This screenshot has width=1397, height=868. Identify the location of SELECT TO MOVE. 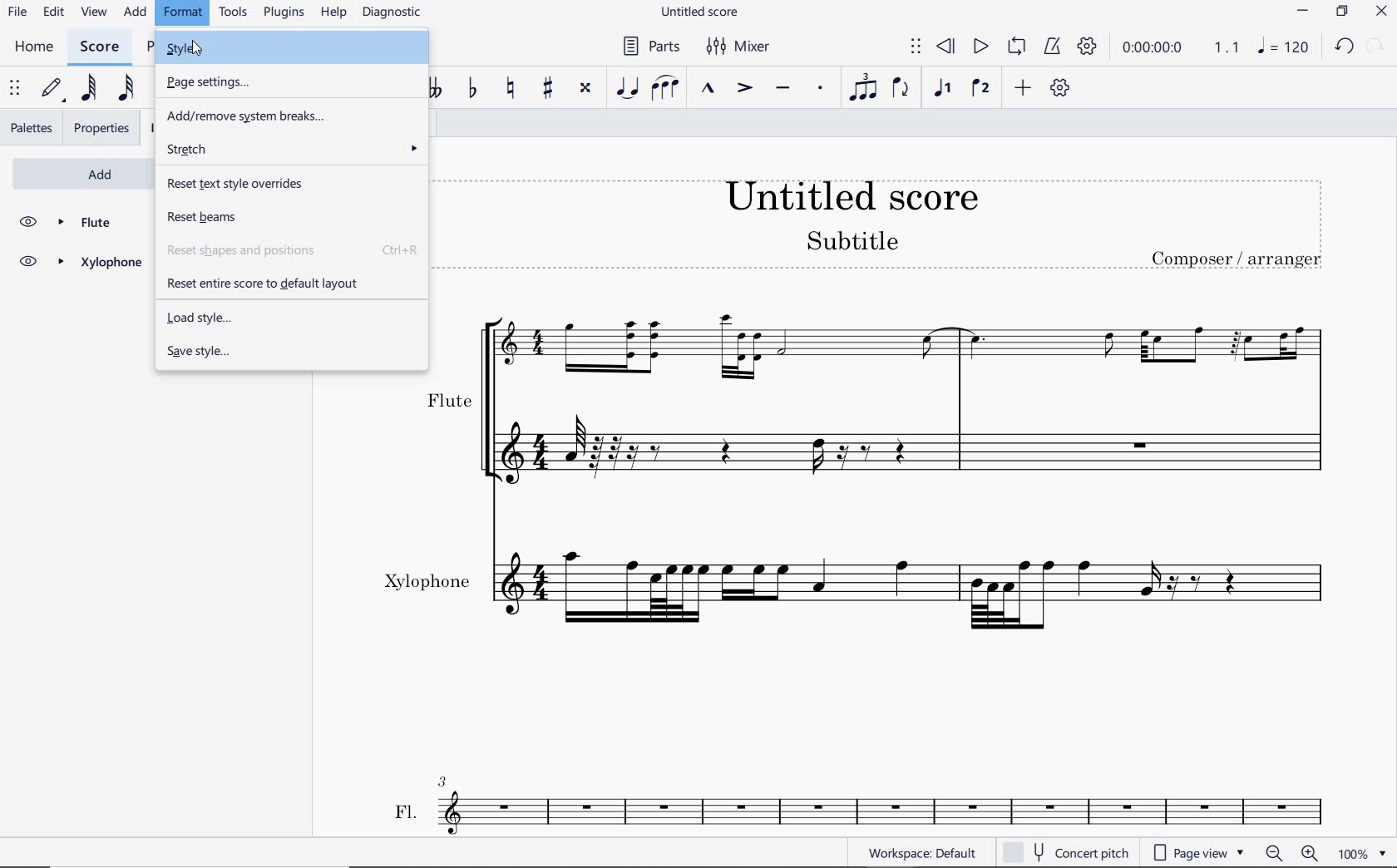
(916, 47).